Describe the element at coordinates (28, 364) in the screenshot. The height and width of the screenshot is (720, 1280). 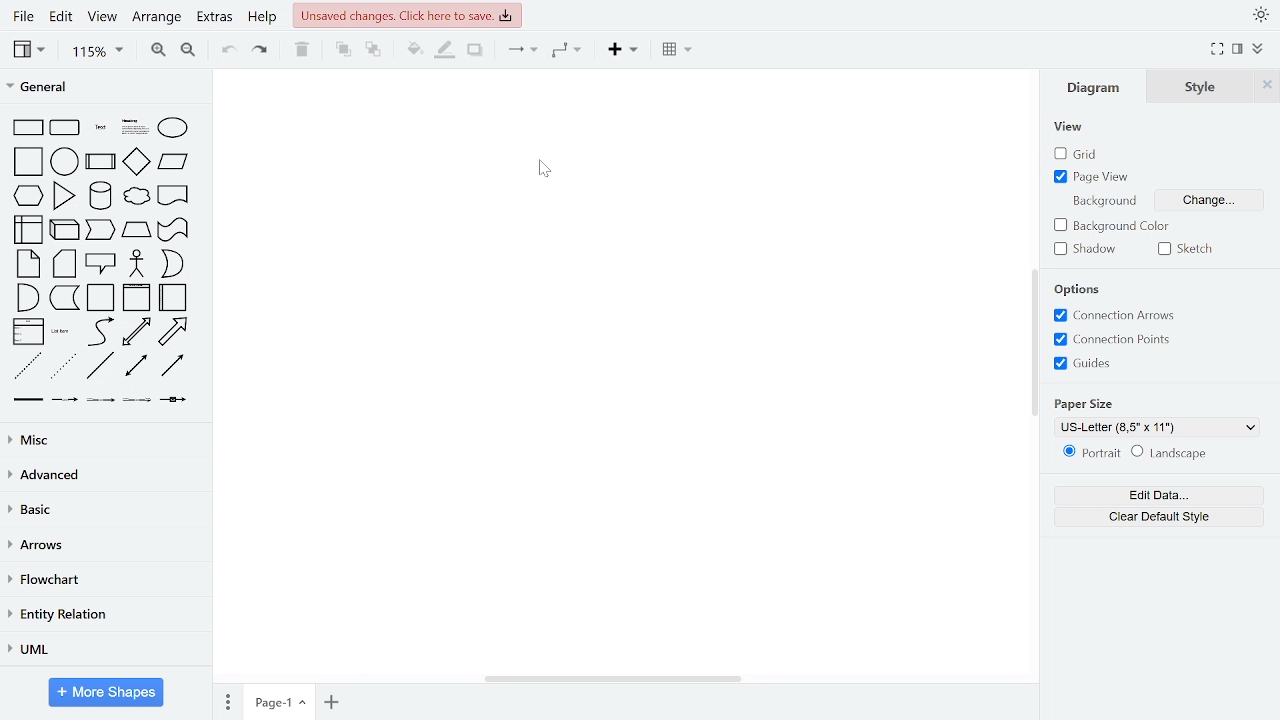
I see `dashed line` at that location.